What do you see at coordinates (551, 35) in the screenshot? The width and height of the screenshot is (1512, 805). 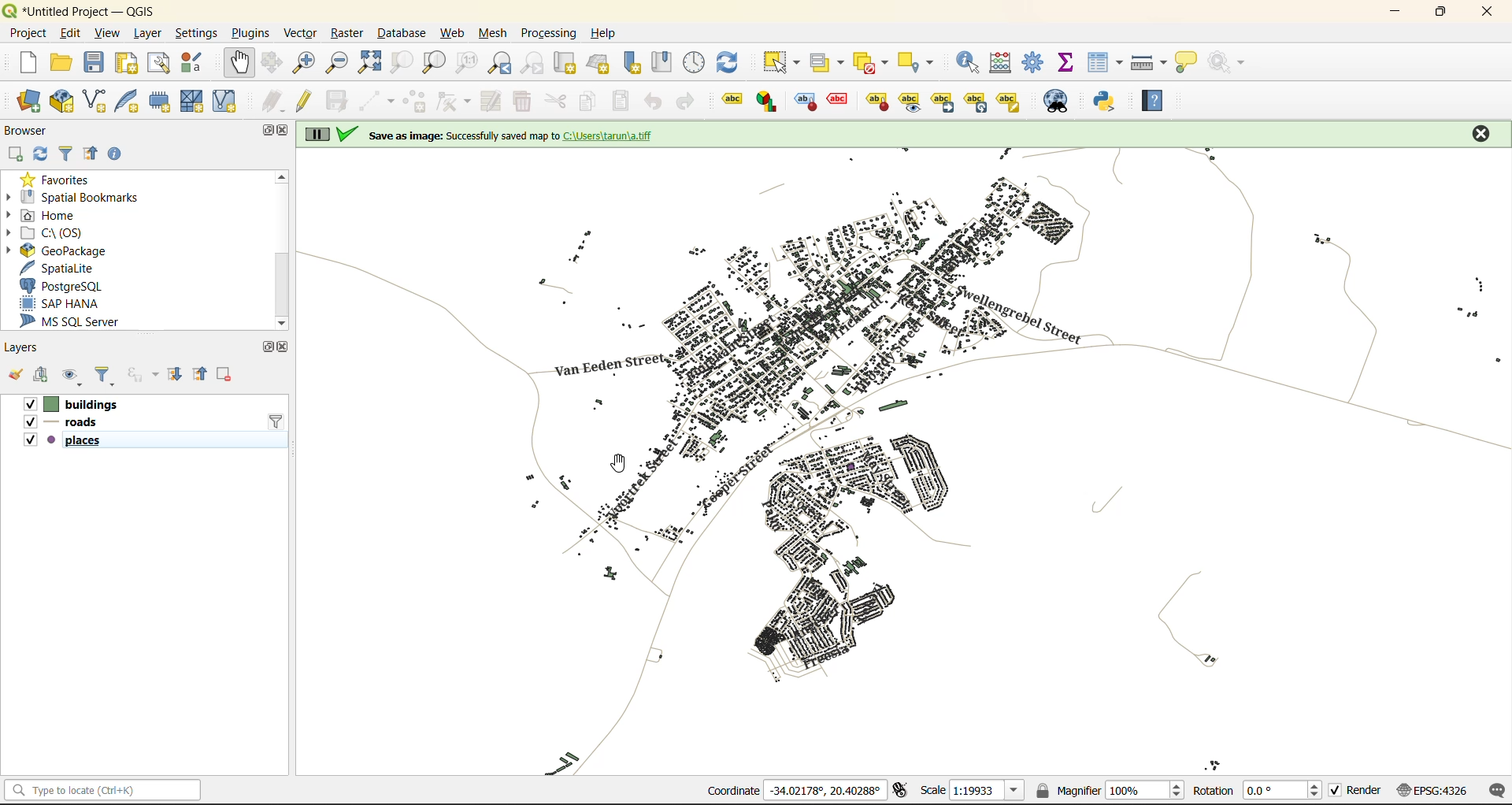 I see `processing` at bounding box center [551, 35].